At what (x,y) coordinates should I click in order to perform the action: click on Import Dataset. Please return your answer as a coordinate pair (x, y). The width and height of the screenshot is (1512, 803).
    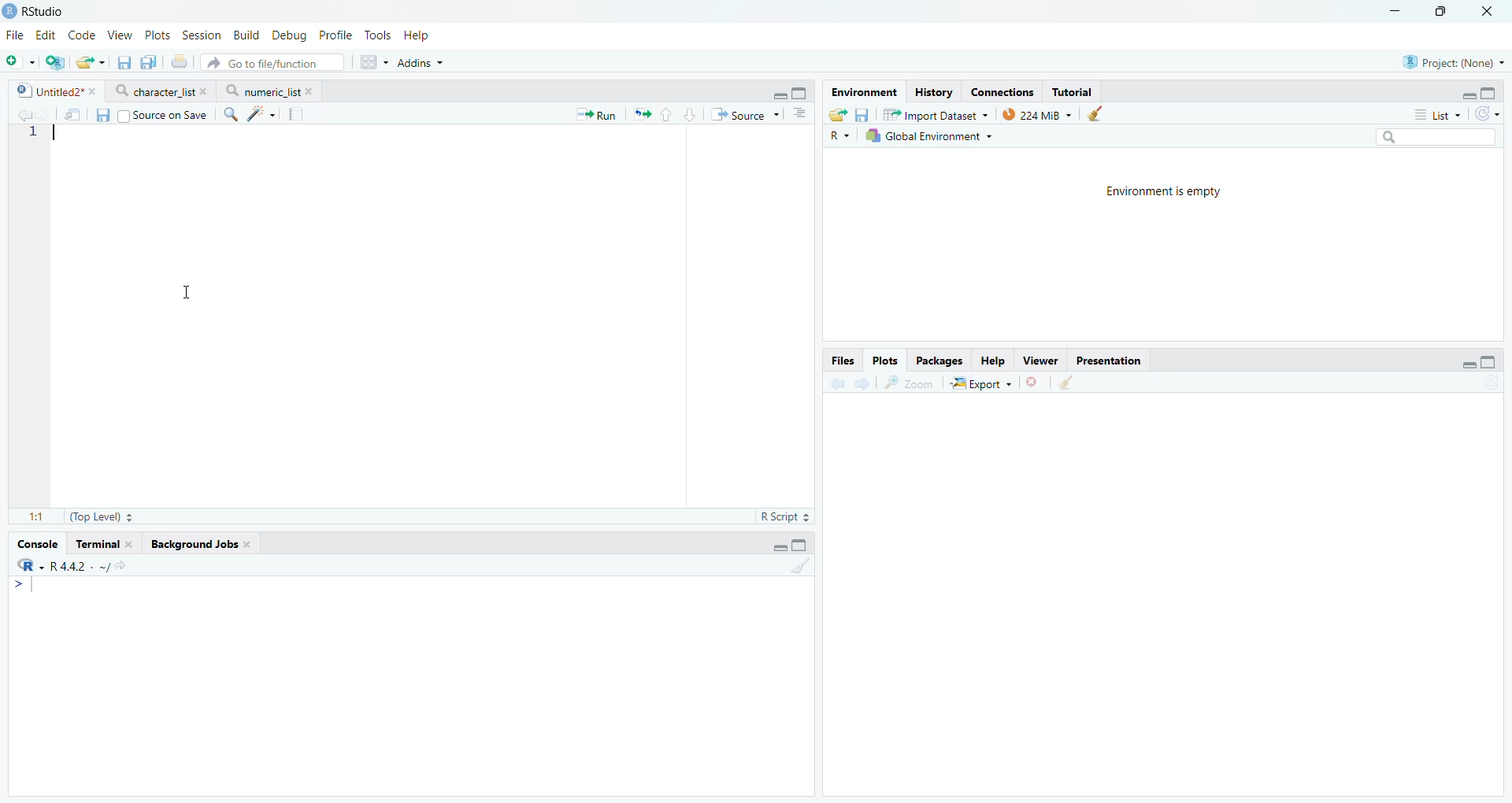
    Looking at the image, I should click on (936, 115).